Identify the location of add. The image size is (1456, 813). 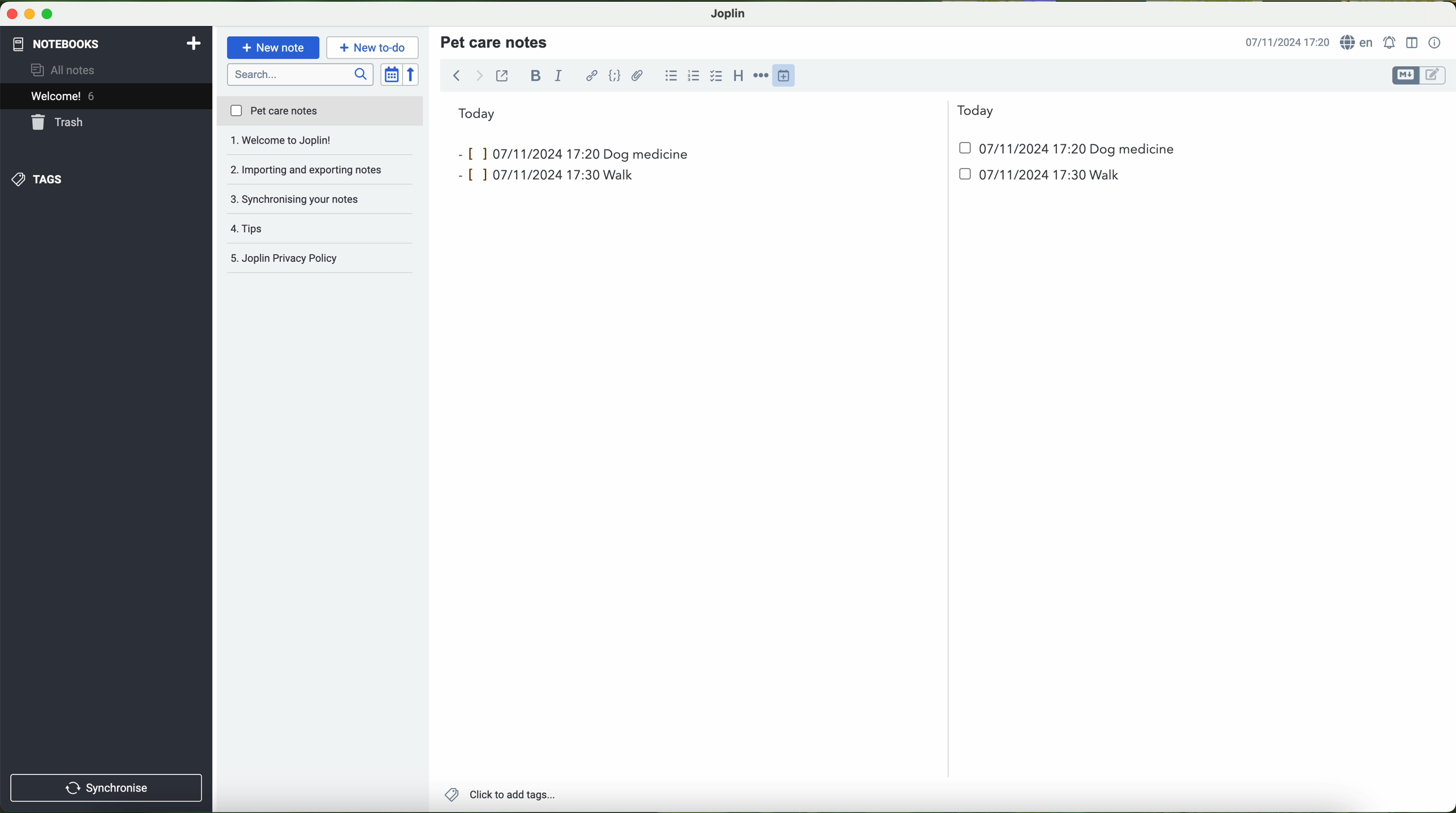
(194, 42).